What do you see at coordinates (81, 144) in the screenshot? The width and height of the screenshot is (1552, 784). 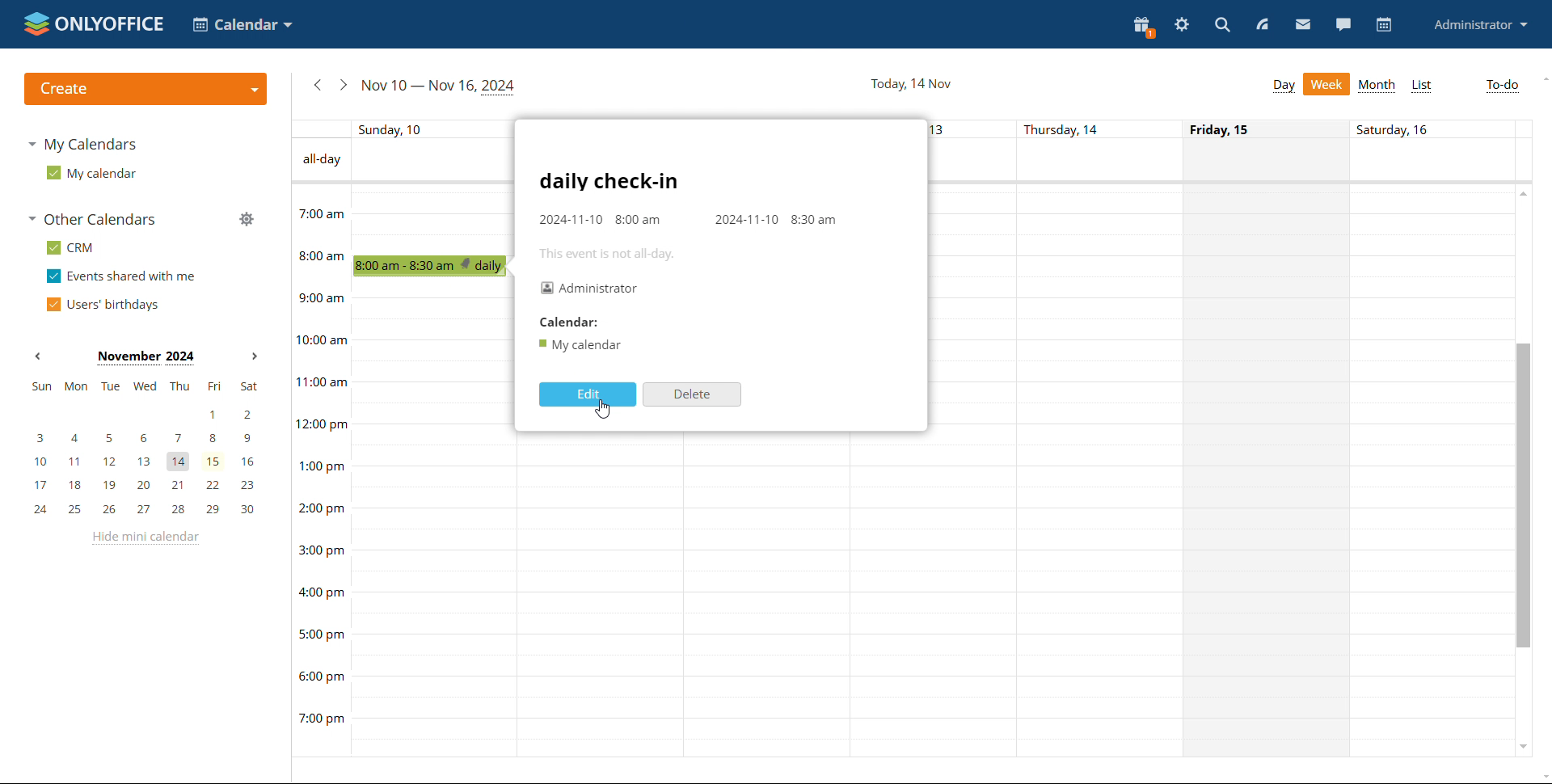 I see `my calendars` at bounding box center [81, 144].